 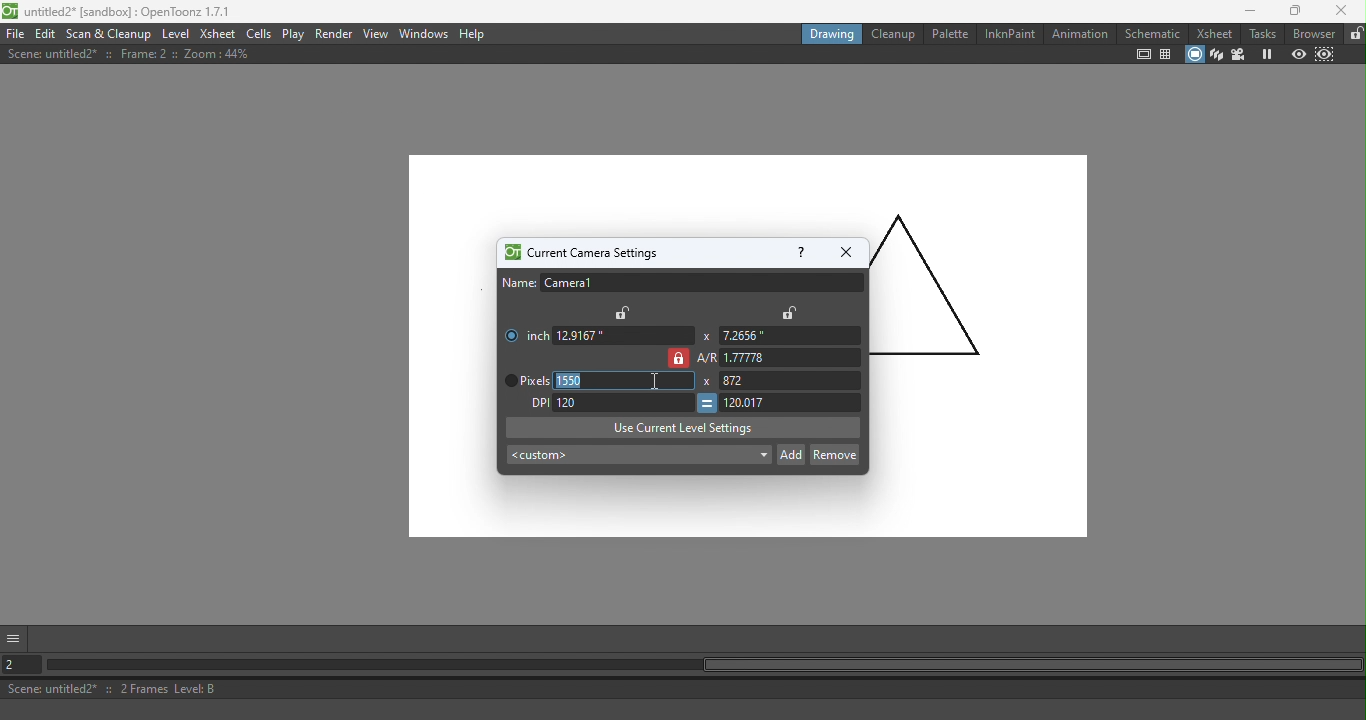 What do you see at coordinates (1213, 33) in the screenshot?
I see `Xsheet` at bounding box center [1213, 33].